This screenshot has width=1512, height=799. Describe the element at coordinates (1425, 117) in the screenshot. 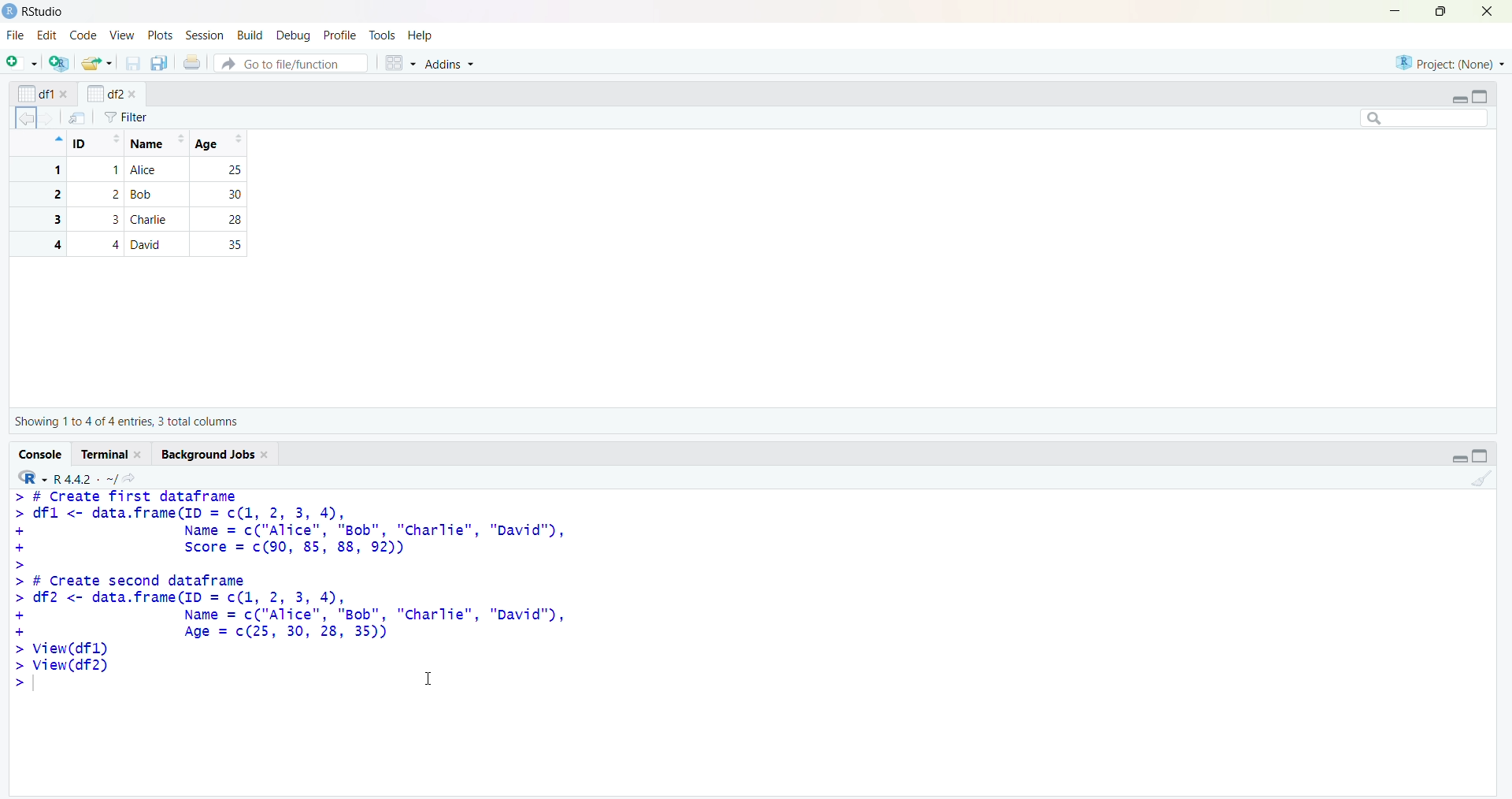

I see `searchbox` at that location.